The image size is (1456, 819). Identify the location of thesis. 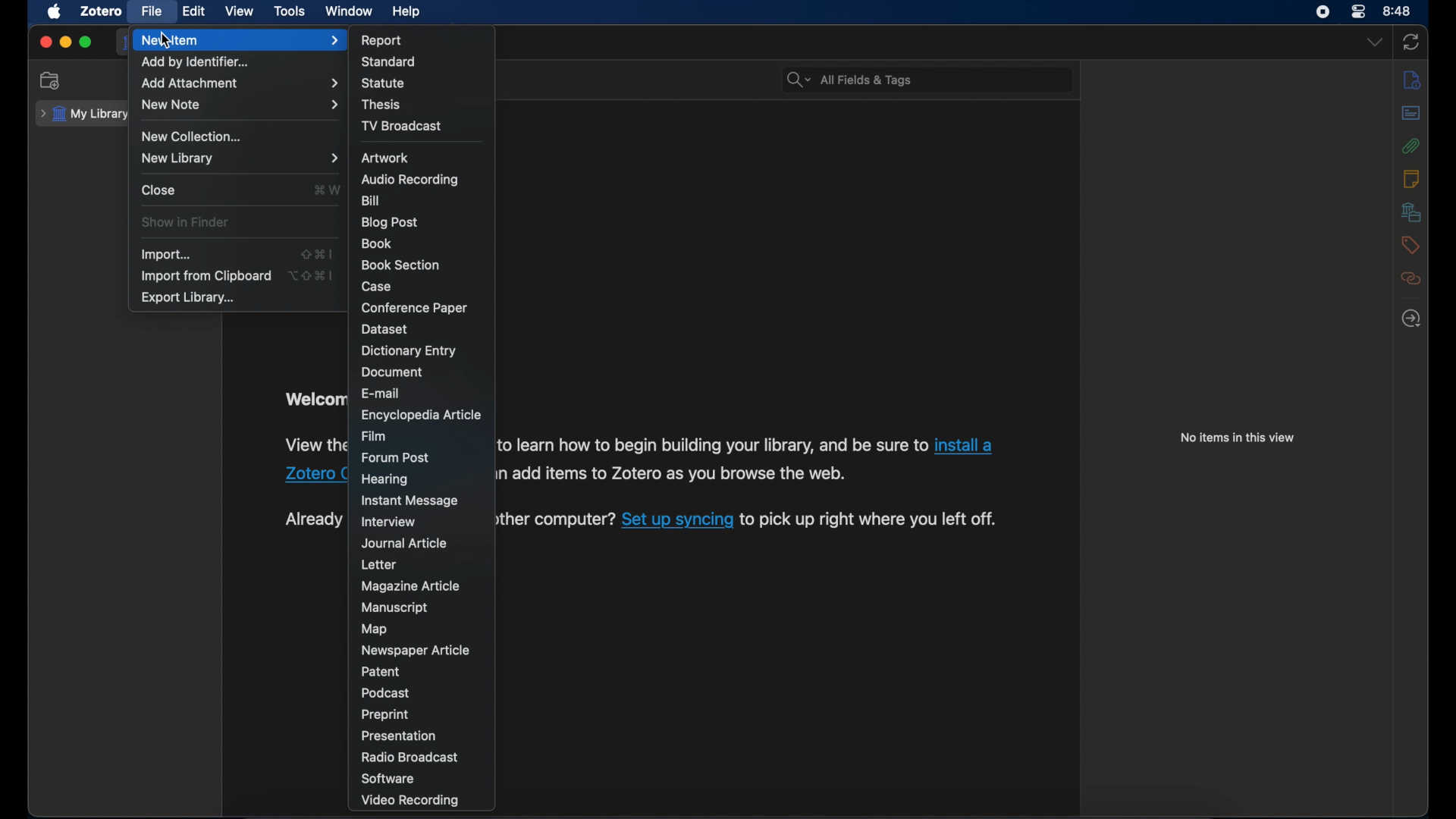
(382, 104).